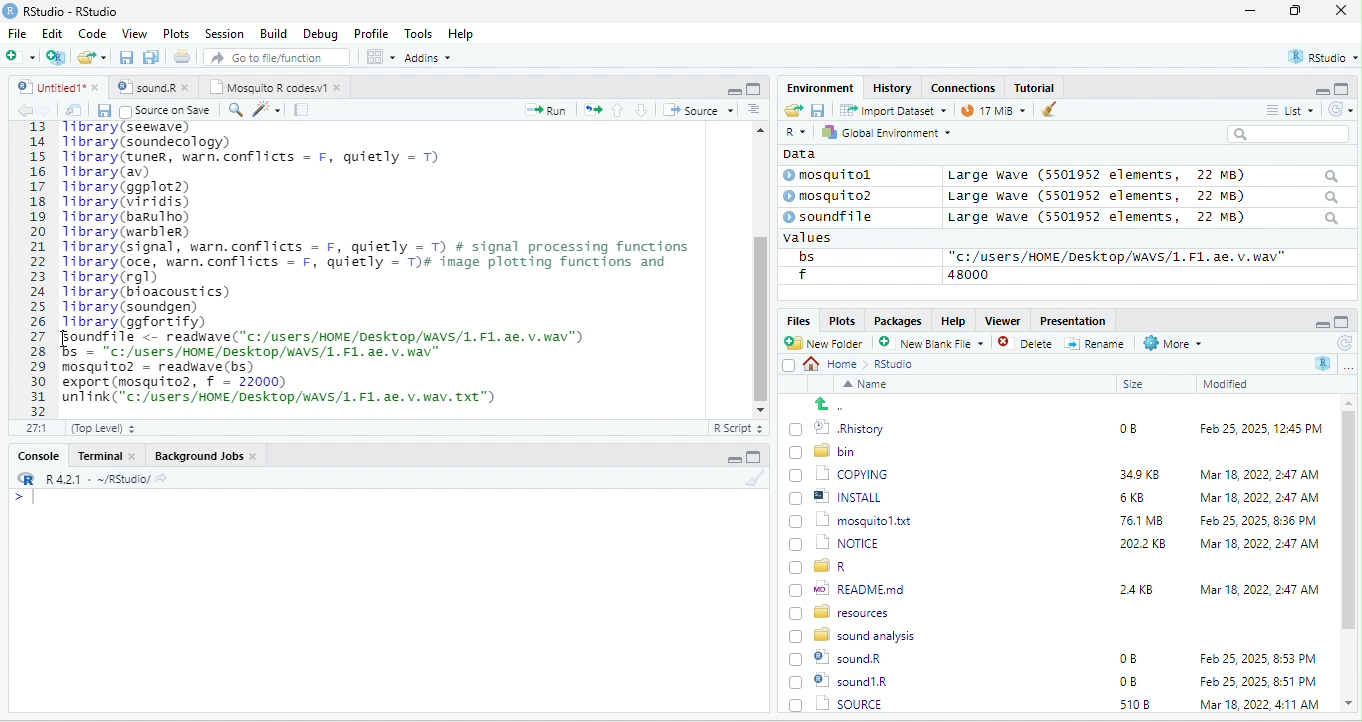 The height and width of the screenshot is (722, 1362). I want to click on new project, so click(57, 57).